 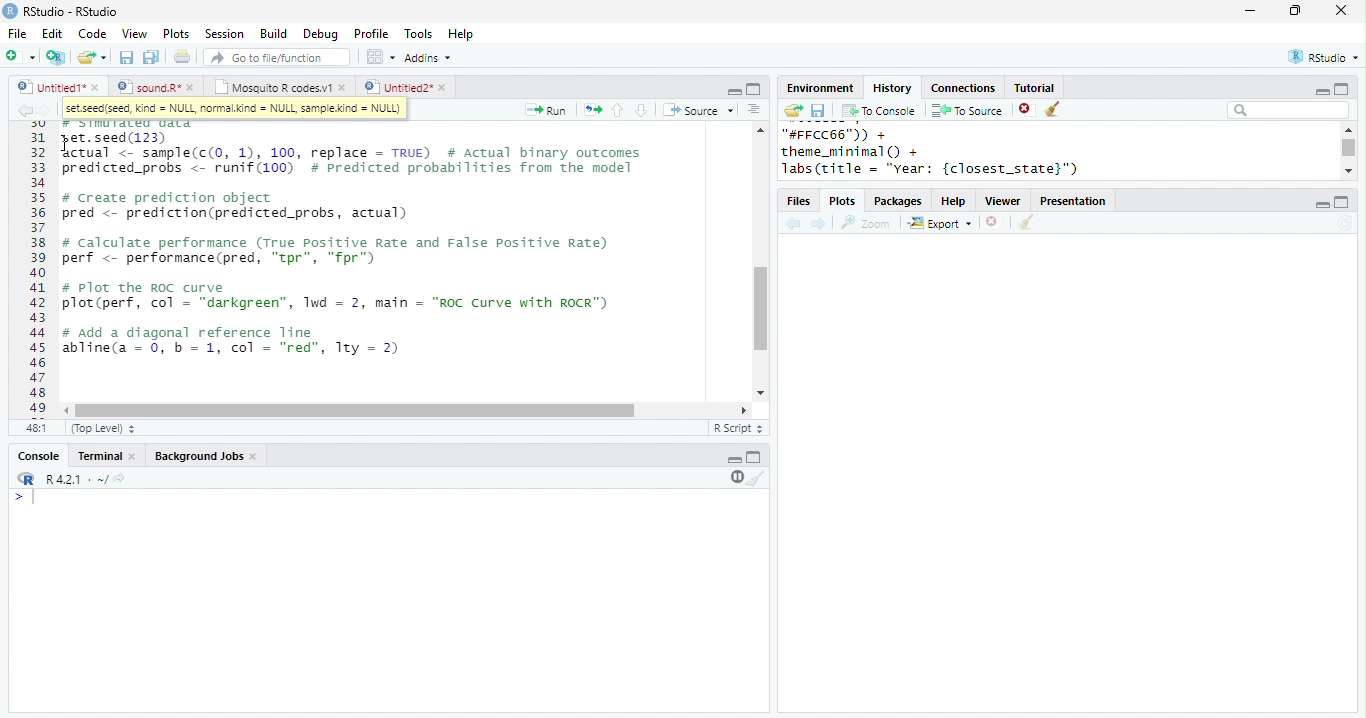 I want to click on pause, so click(x=735, y=477).